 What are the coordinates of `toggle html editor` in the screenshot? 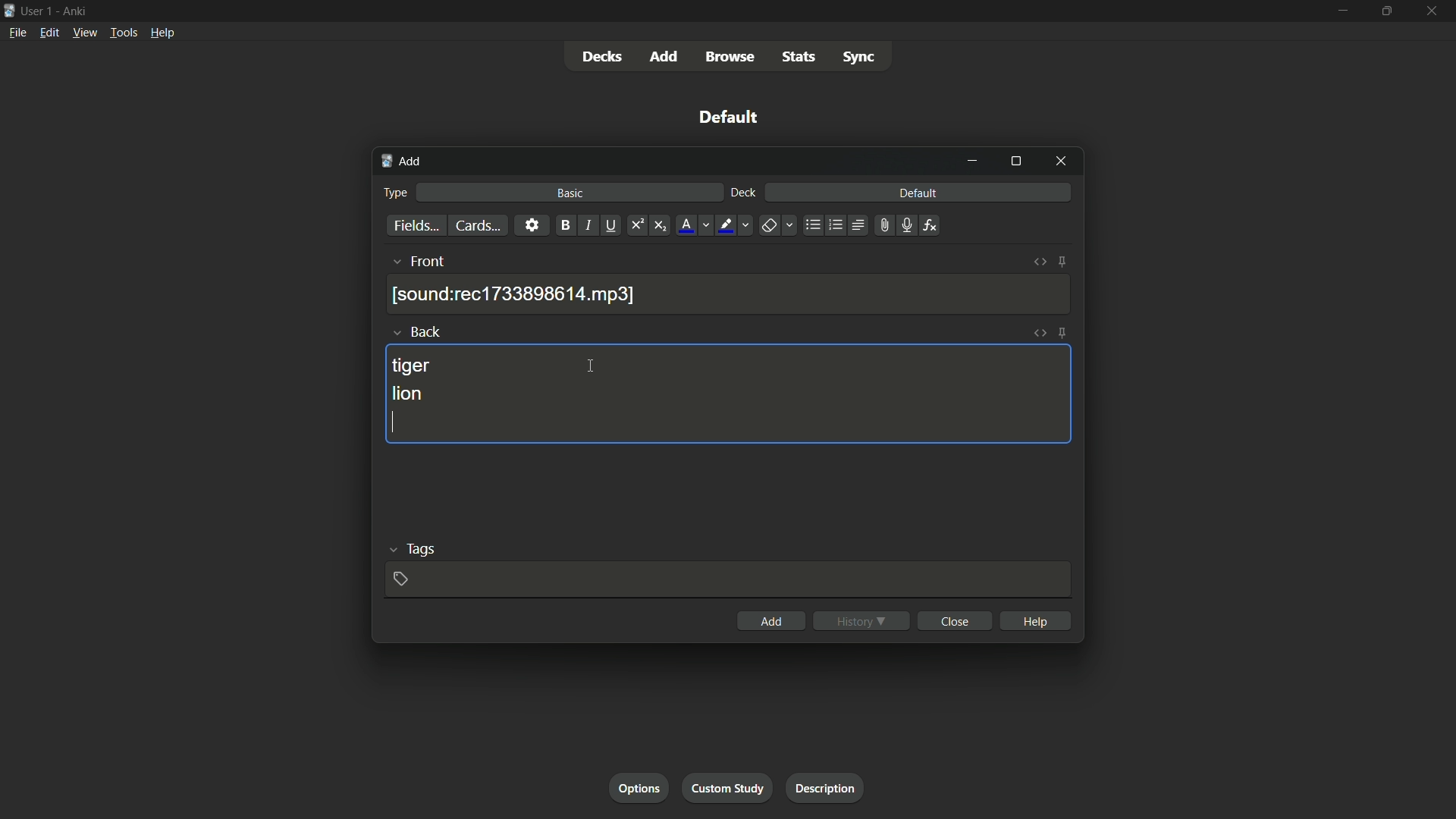 It's located at (1040, 263).